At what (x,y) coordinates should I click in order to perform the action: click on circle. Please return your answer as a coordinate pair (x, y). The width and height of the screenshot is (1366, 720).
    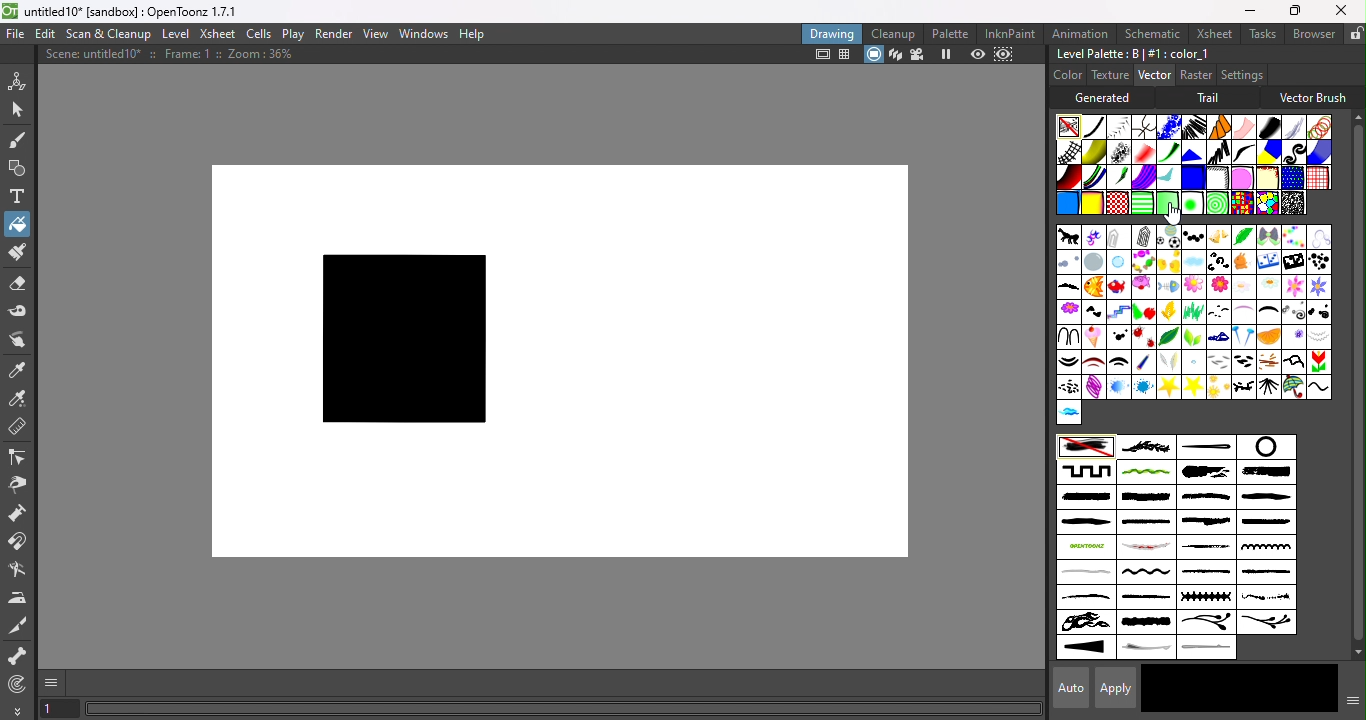
    Looking at the image, I should click on (1264, 447).